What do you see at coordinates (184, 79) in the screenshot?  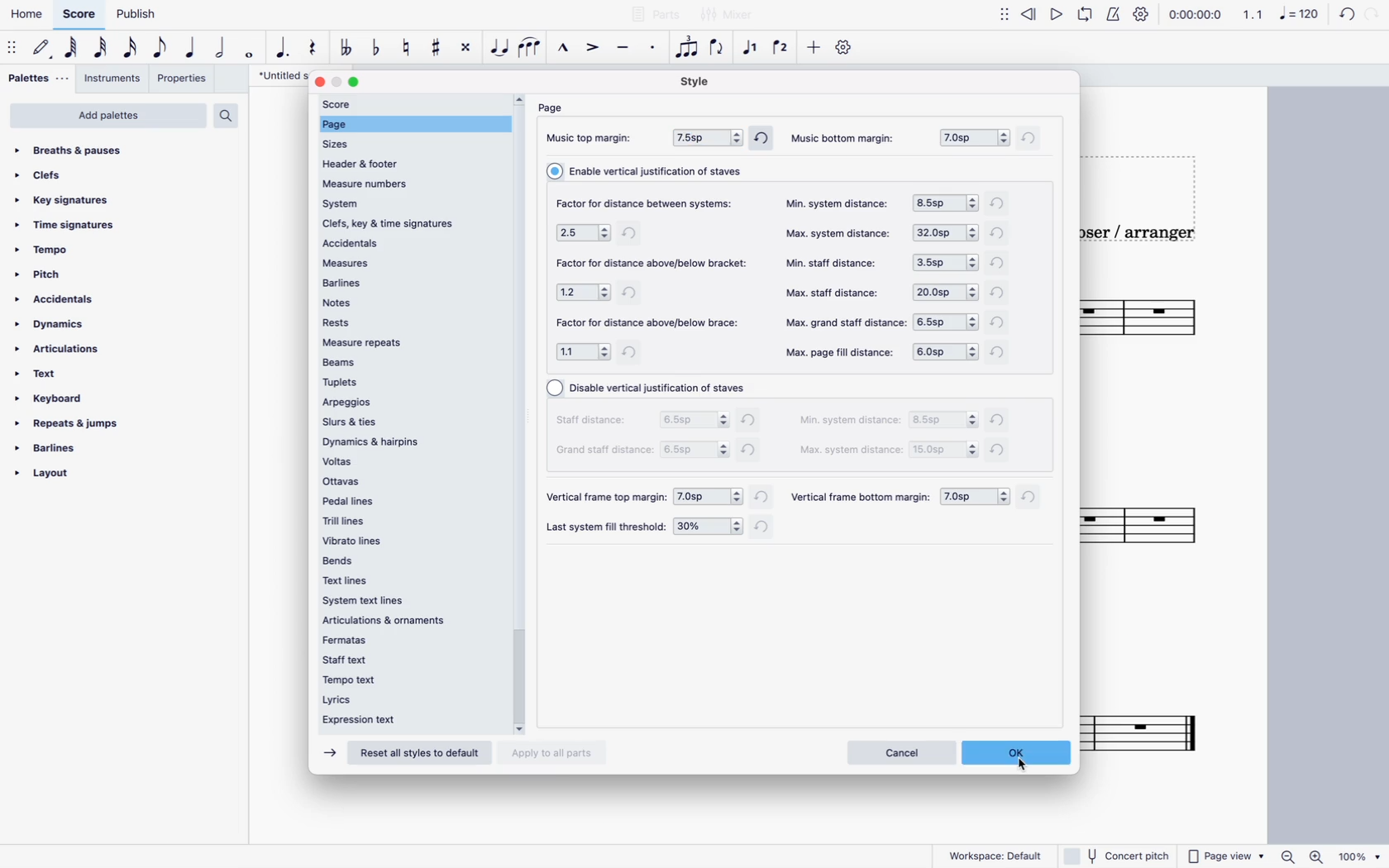 I see `properties` at bounding box center [184, 79].